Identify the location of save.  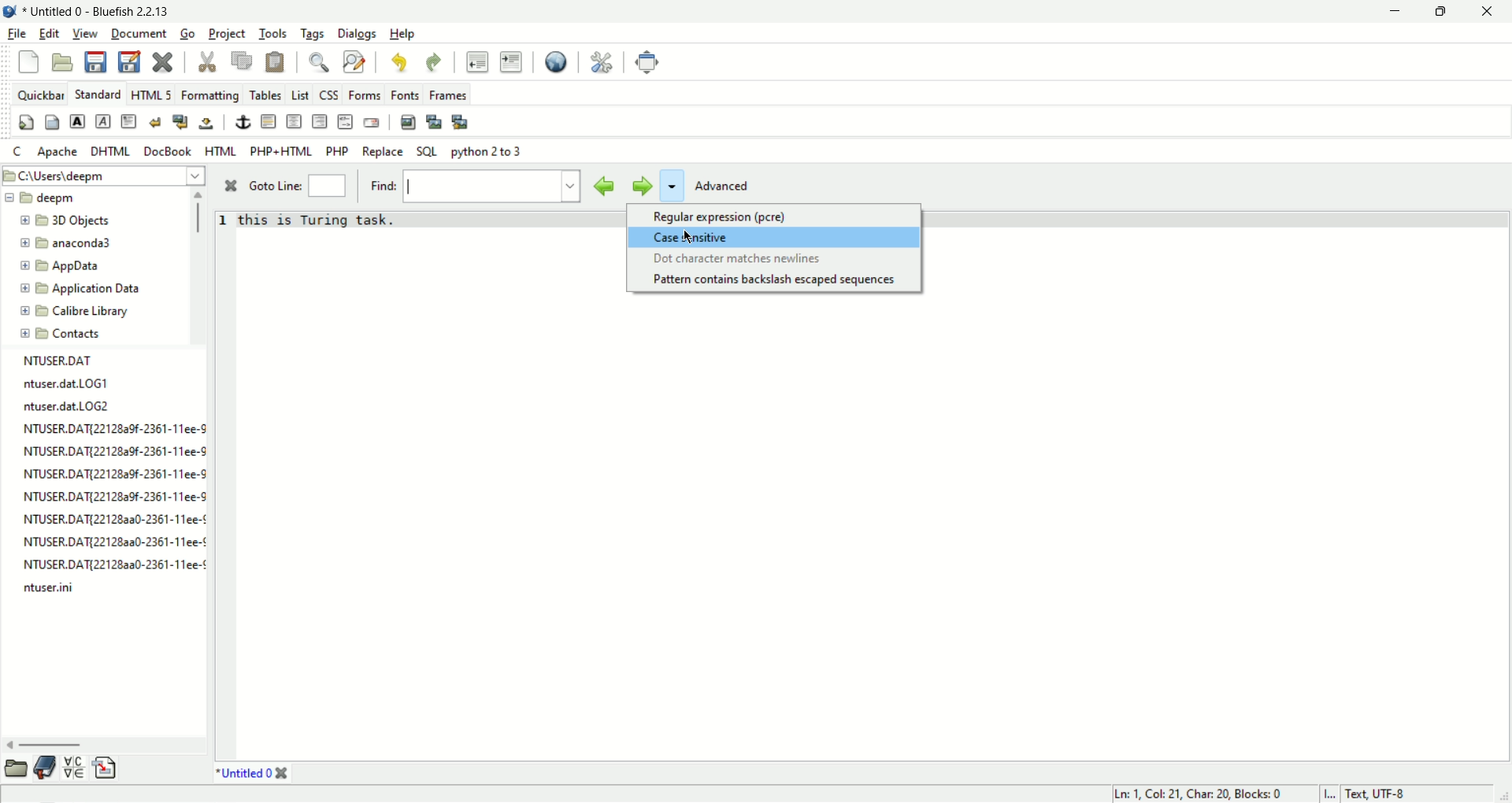
(94, 61).